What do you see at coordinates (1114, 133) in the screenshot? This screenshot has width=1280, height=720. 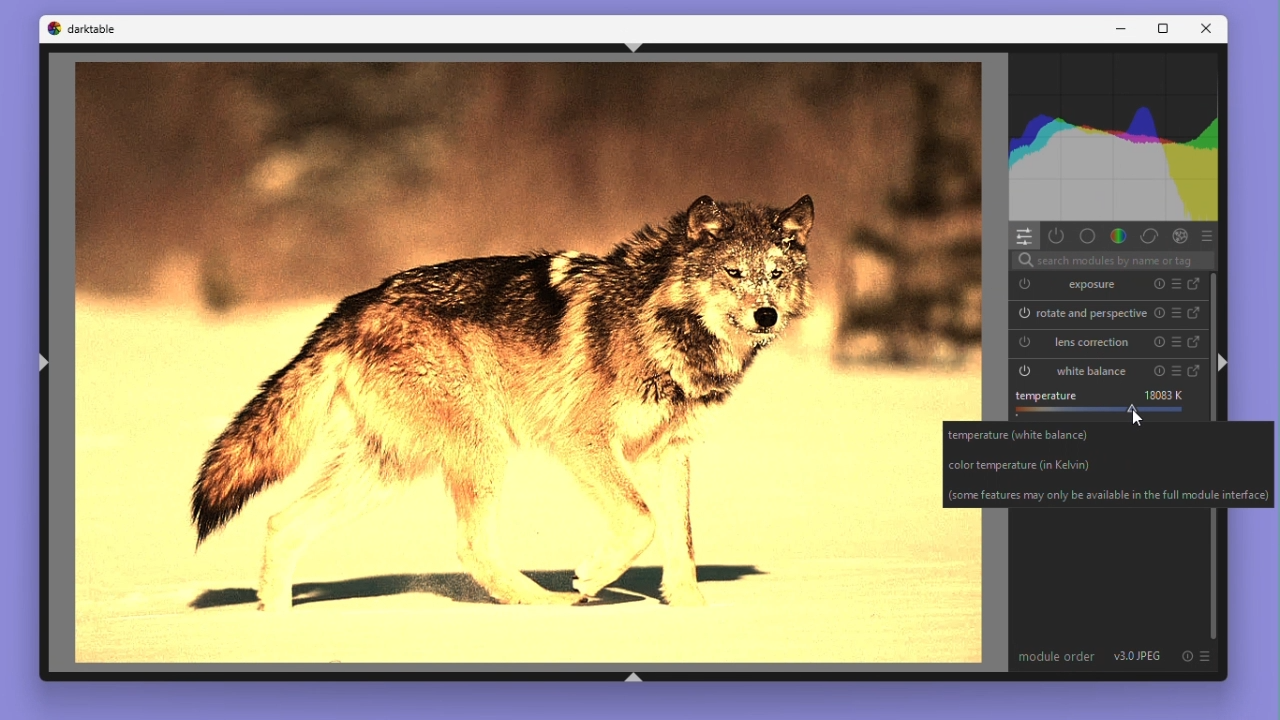 I see `histogram` at bounding box center [1114, 133].